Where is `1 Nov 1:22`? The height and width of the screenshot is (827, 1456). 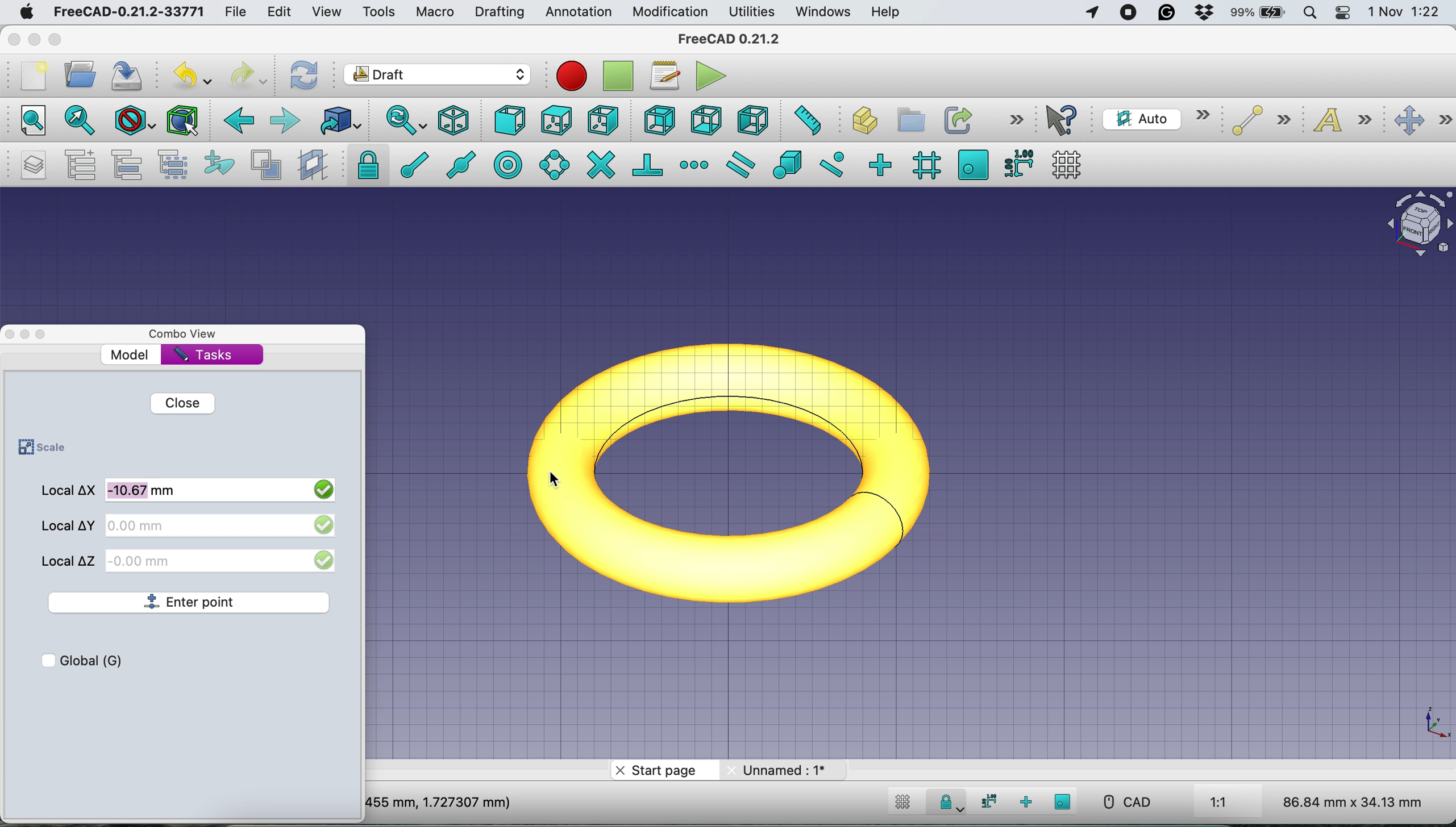 1 Nov 1:22 is located at coordinates (1403, 12).